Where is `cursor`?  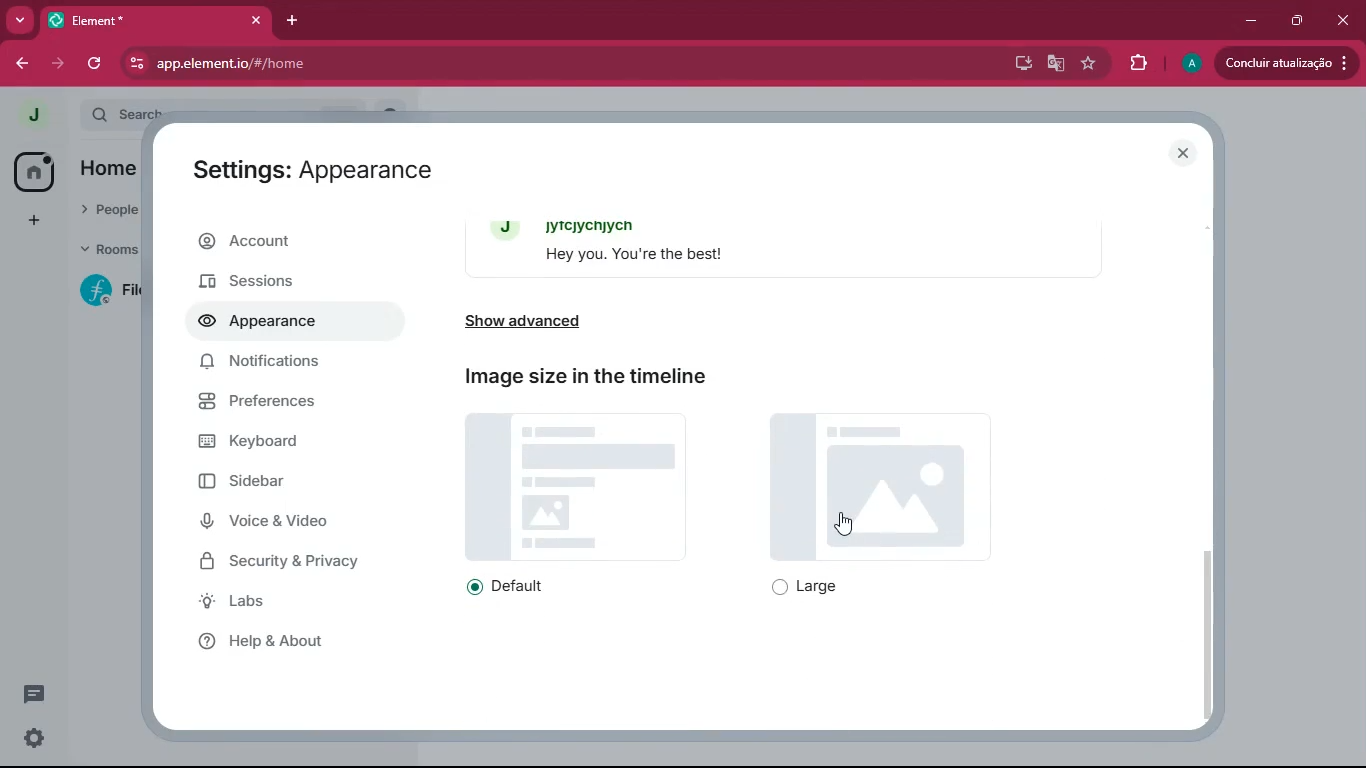
cursor is located at coordinates (852, 524).